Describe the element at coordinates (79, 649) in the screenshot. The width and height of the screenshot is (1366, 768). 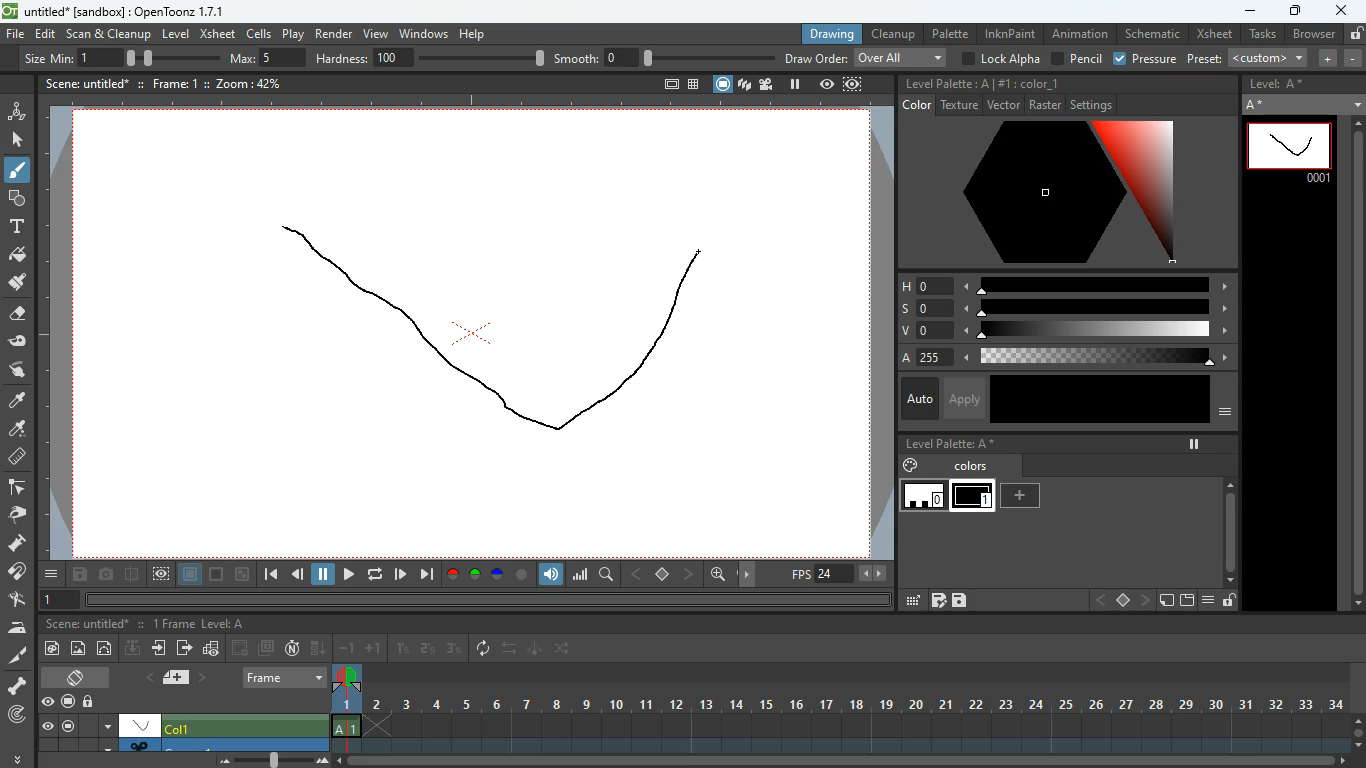
I see `image` at that location.